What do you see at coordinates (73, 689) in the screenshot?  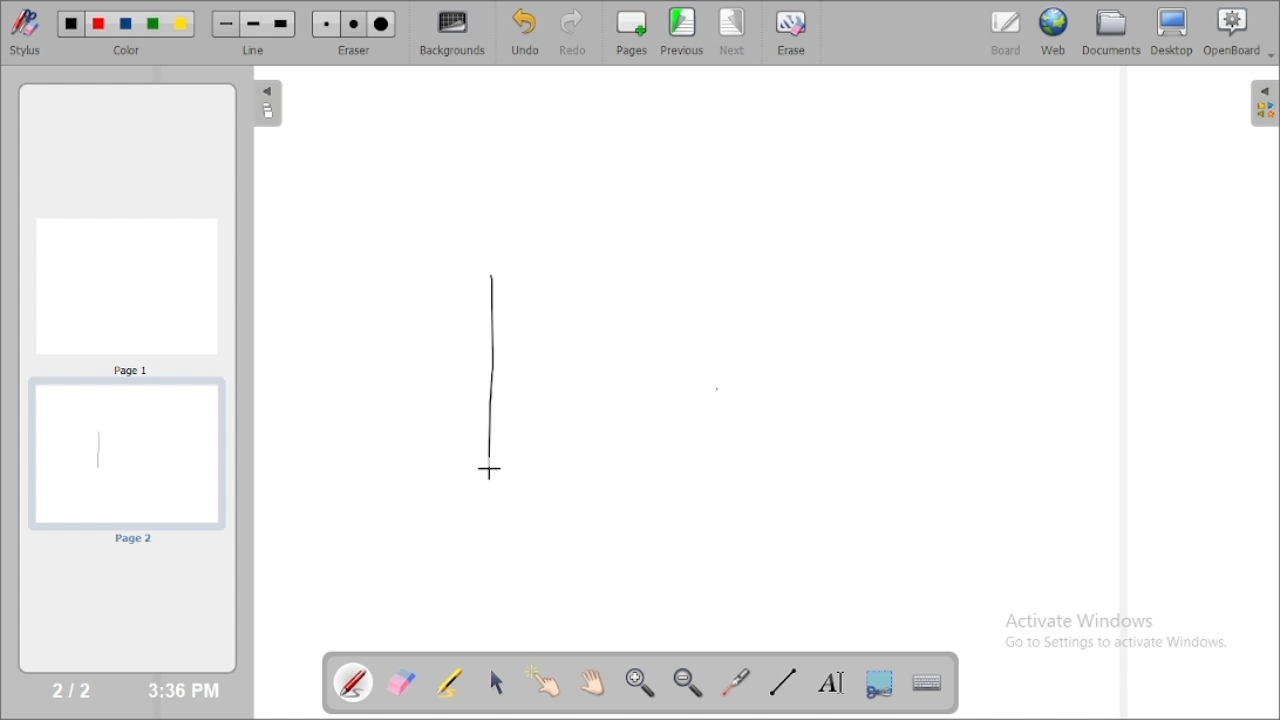 I see `2/2` at bounding box center [73, 689].